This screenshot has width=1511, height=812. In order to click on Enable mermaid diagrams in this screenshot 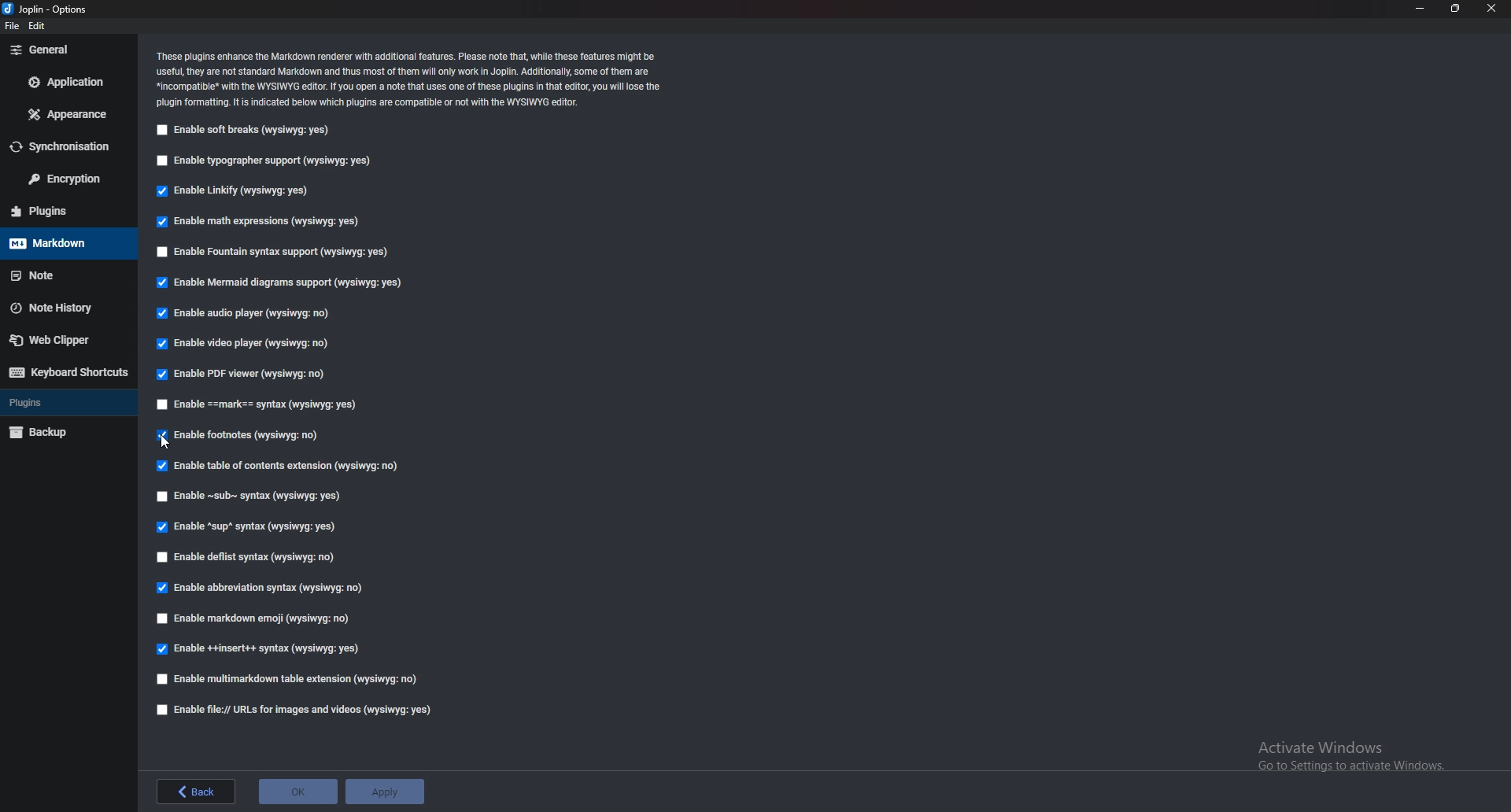, I will do `click(275, 282)`.